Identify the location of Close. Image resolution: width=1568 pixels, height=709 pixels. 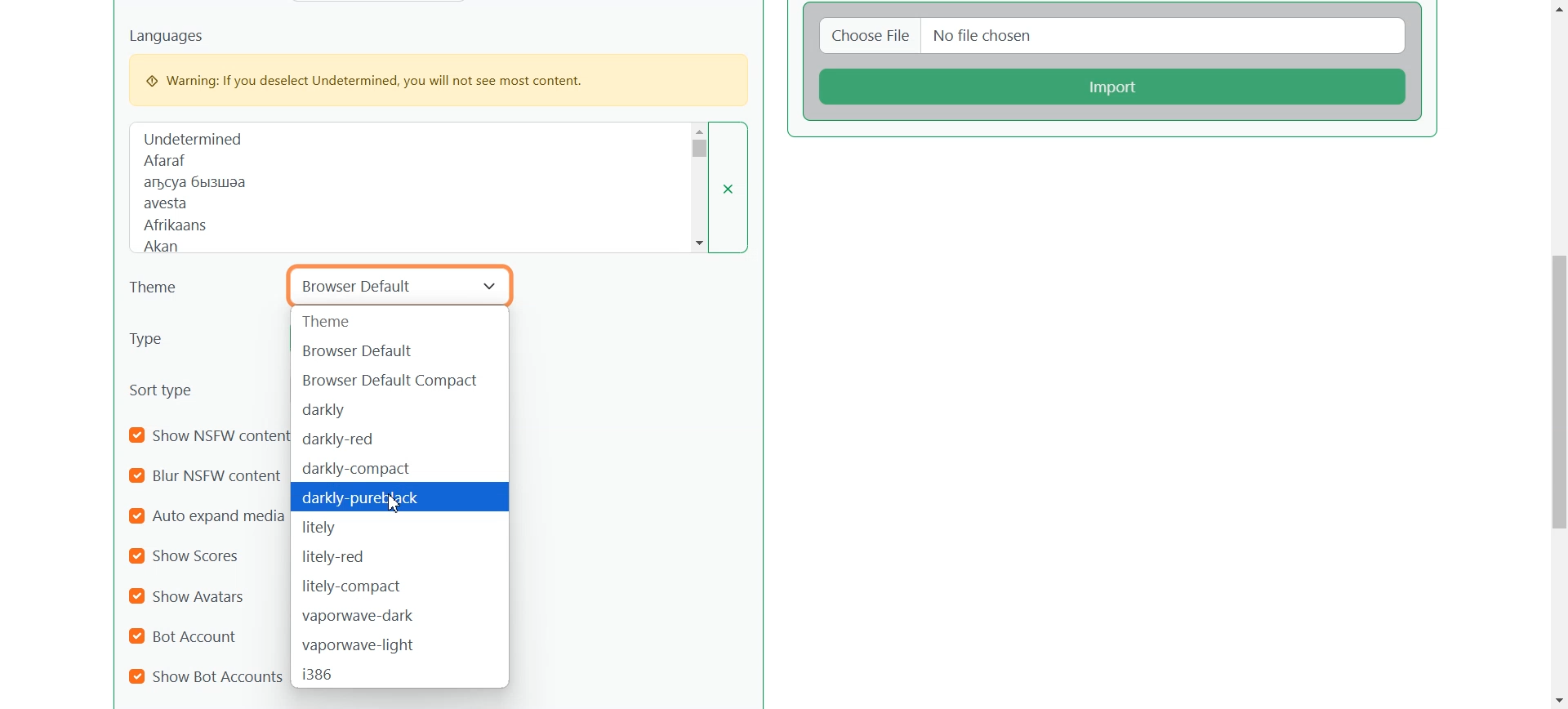
(737, 186).